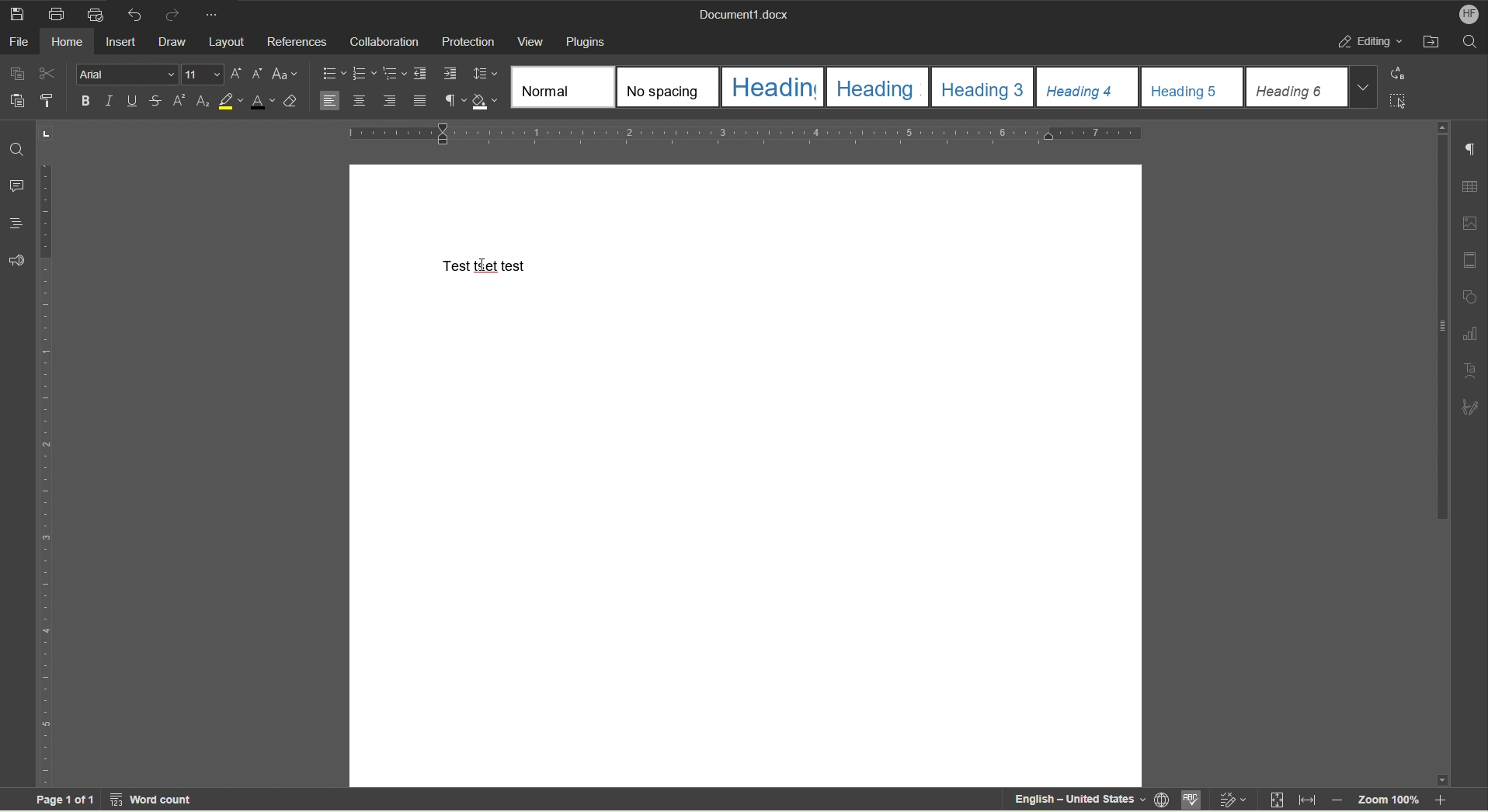  Describe the element at coordinates (17, 149) in the screenshot. I see `Find` at that location.